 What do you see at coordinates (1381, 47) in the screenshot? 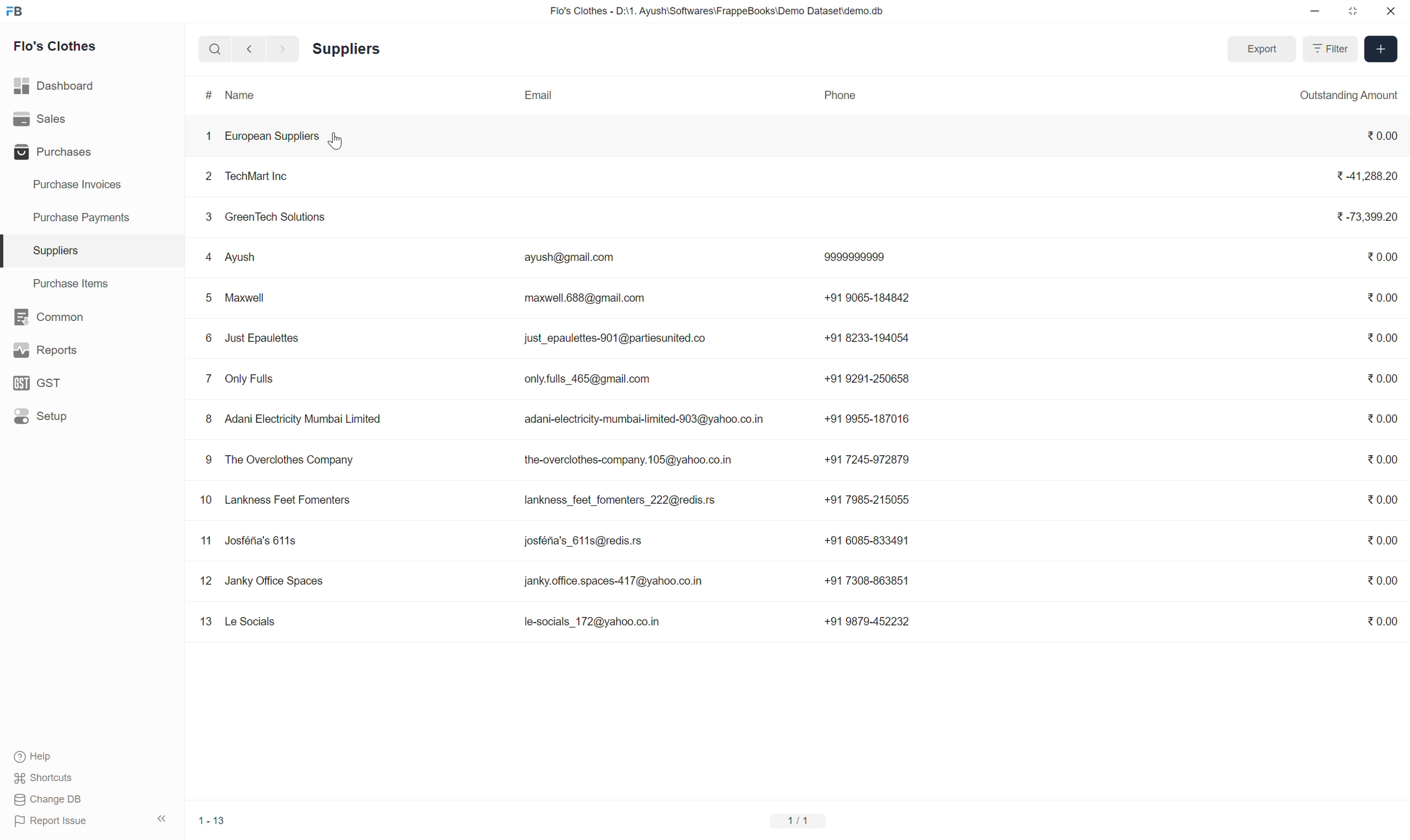
I see `[+` at bounding box center [1381, 47].